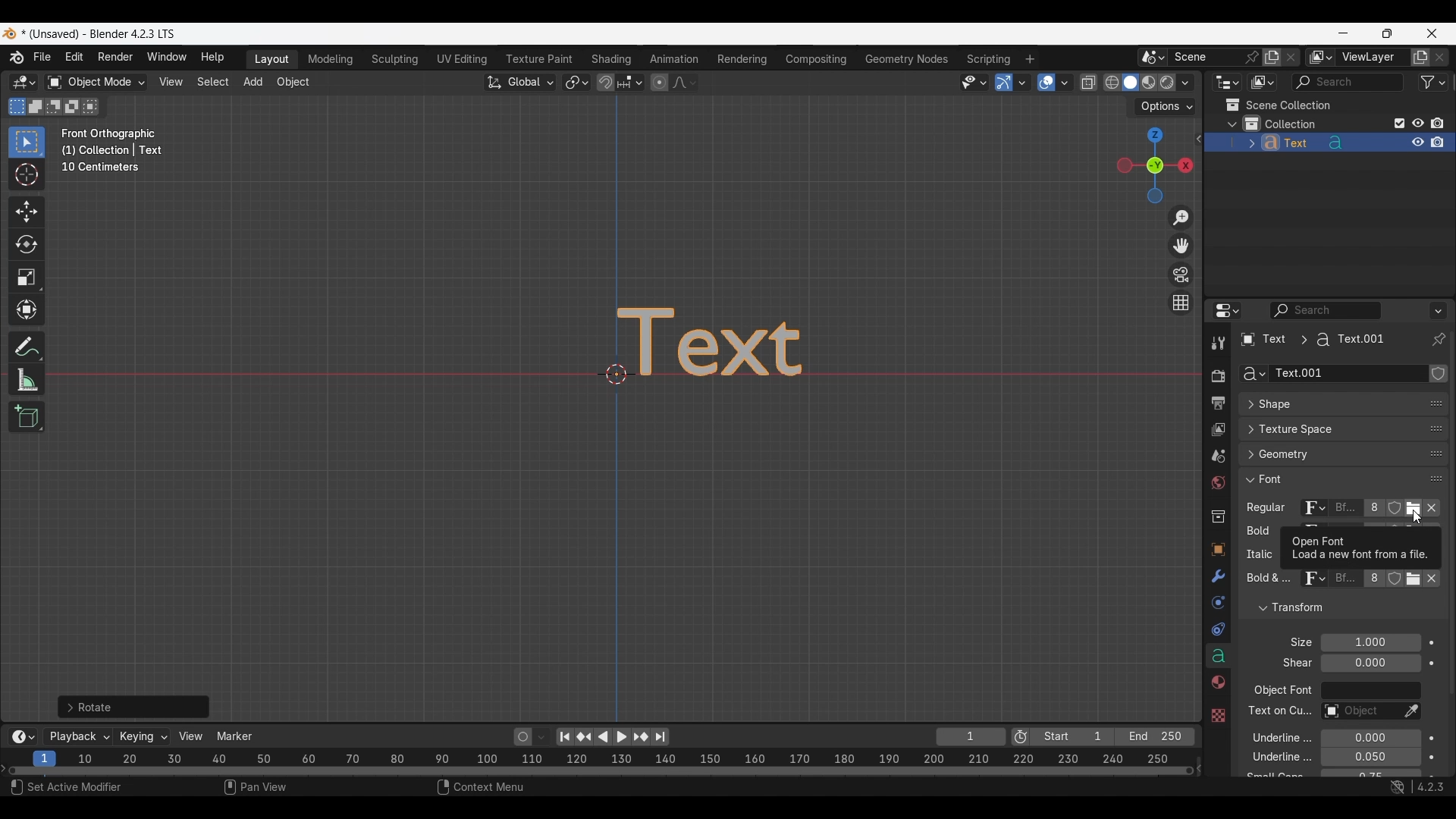  Describe the element at coordinates (659, 82) in the screenshot. I see `Proportional editing objects` at that location.